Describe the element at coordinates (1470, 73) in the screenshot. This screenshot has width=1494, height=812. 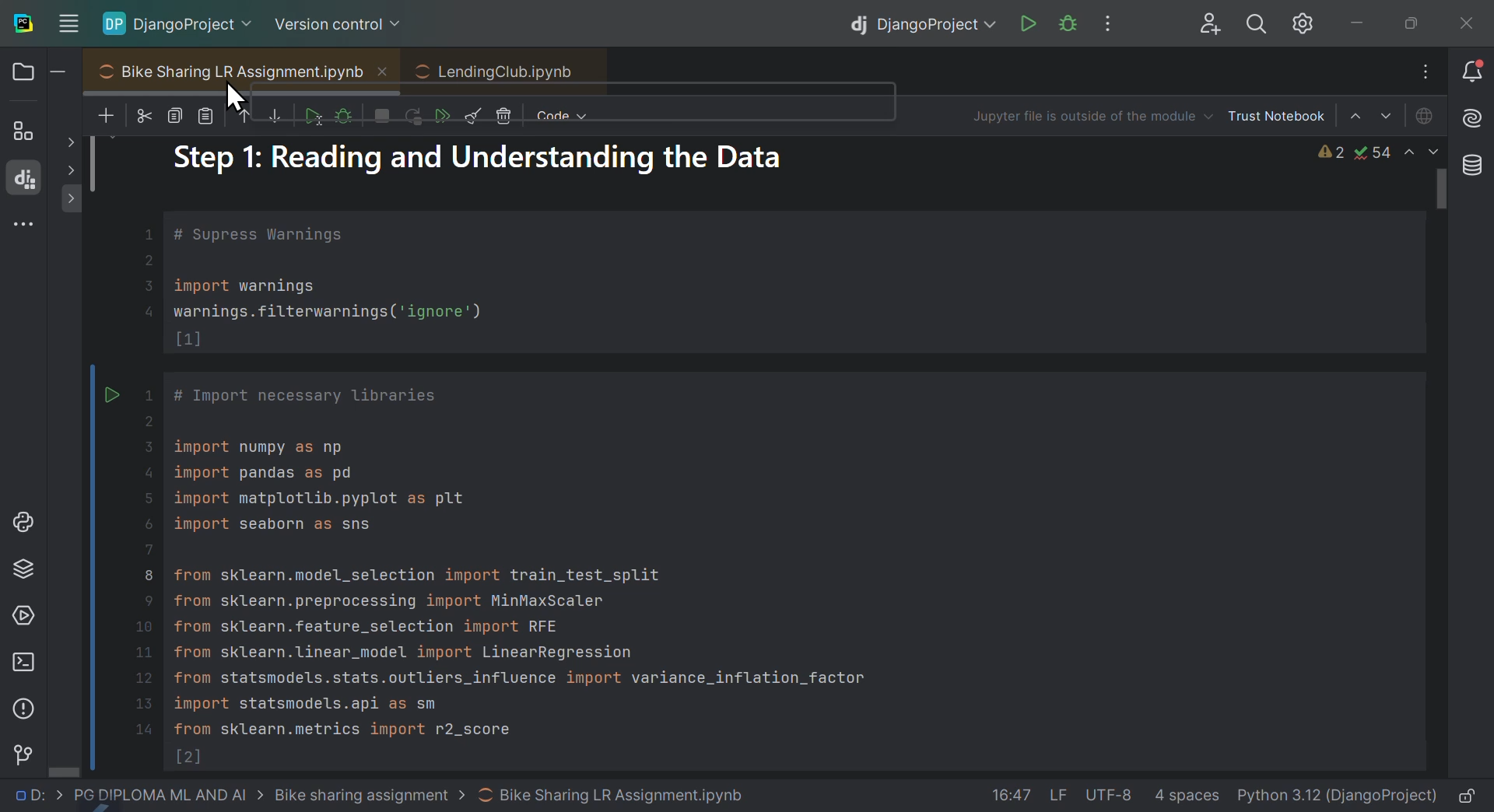
I see `Notifications` at that location.